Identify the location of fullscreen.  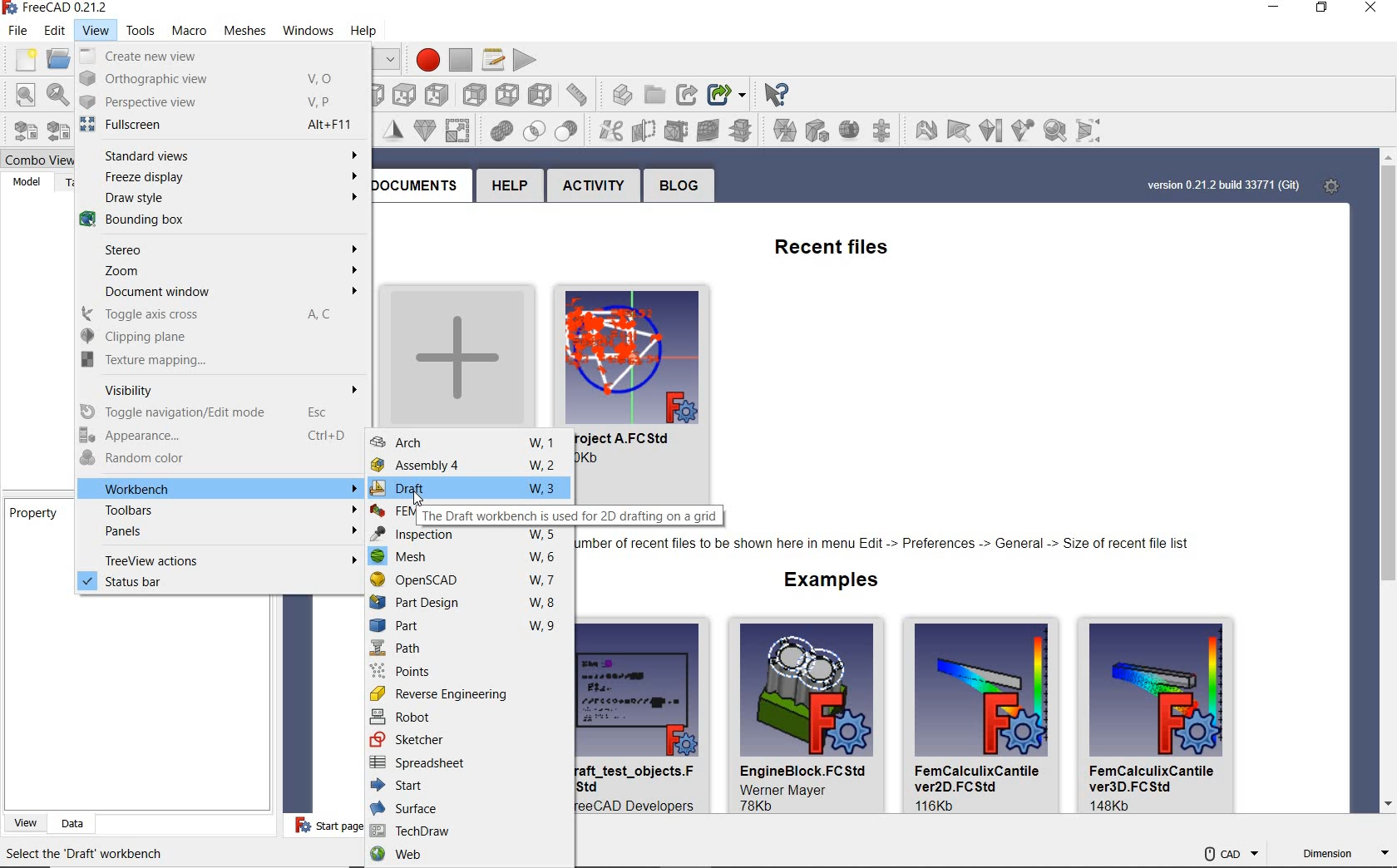
(214, 125).